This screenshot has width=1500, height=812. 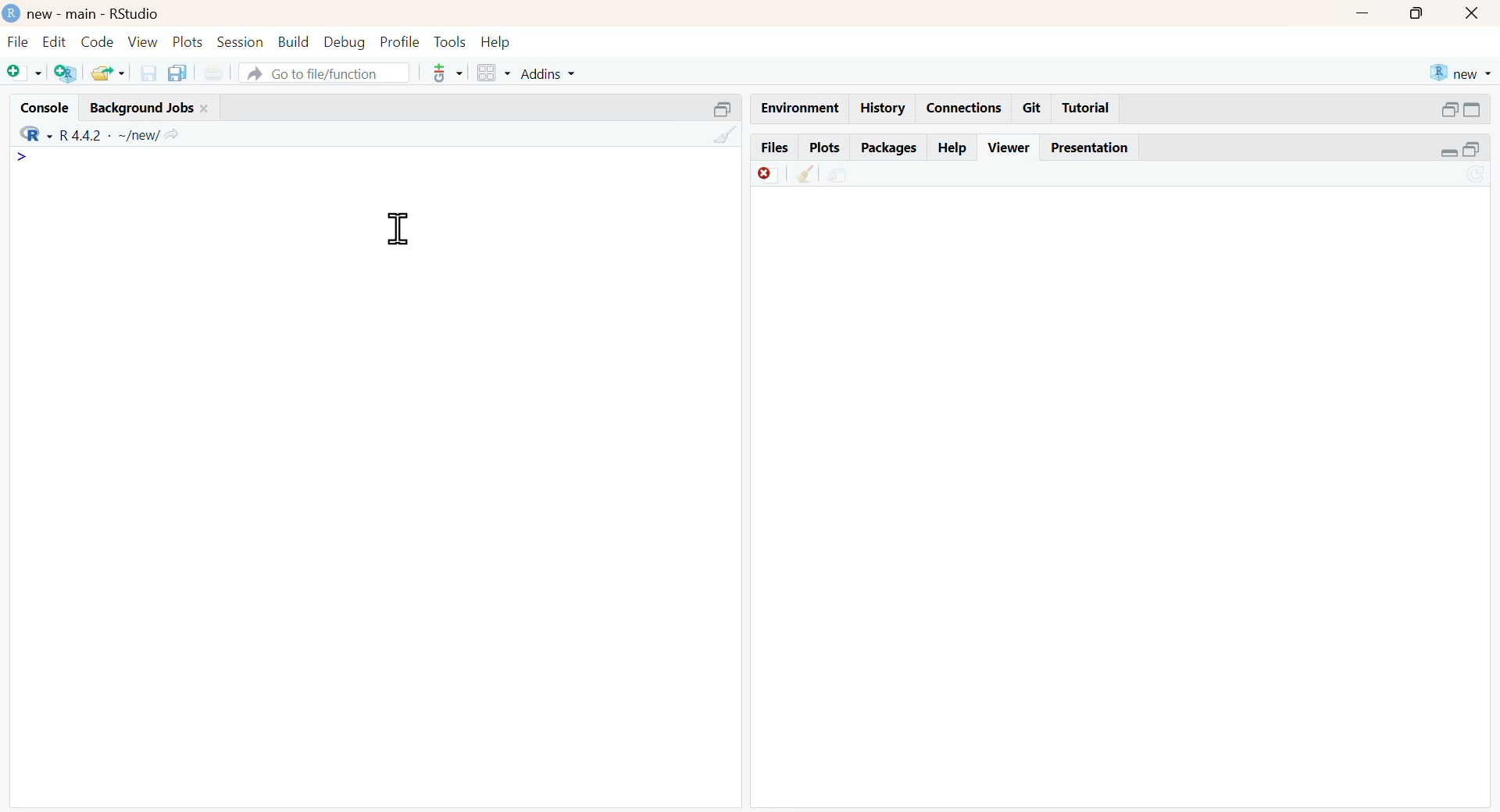 I want to click on maximize, so click(x=1417, y=14).